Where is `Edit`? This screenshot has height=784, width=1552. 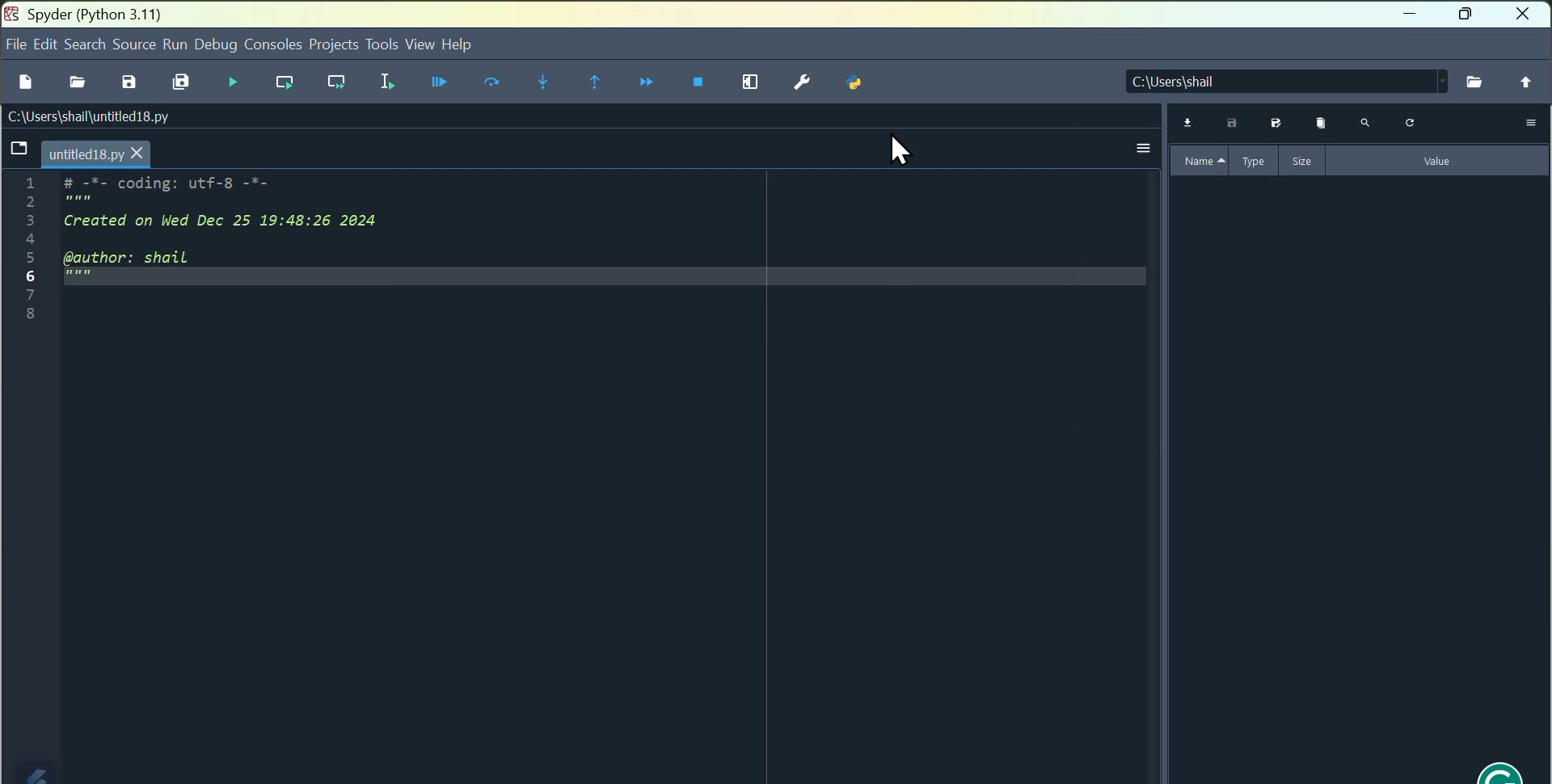
Edit is located at coordinates (44, 44).